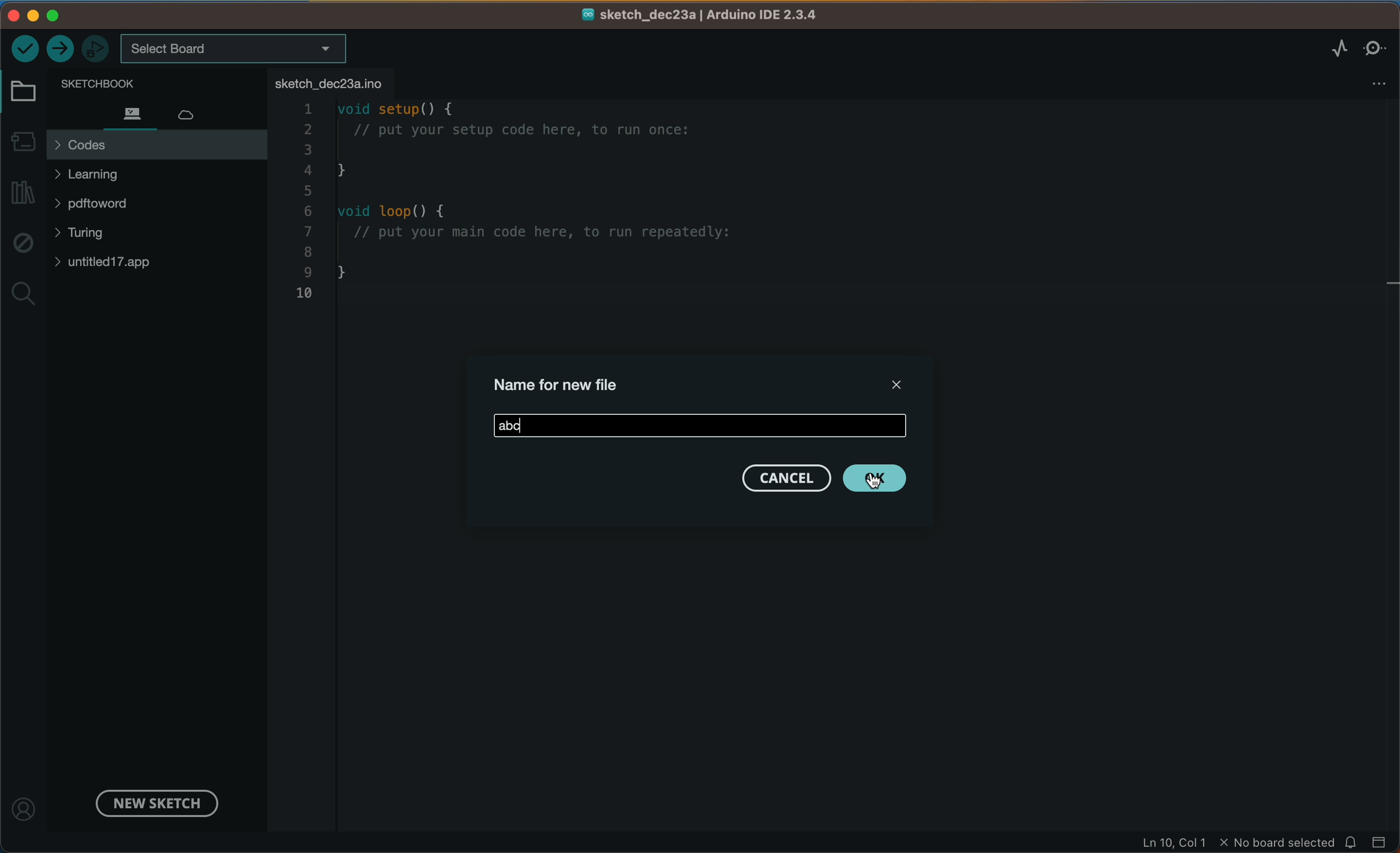 Image resolution: width=1400 pixels, height=853 pixels. I want to click on debugger, so click(97, 48).